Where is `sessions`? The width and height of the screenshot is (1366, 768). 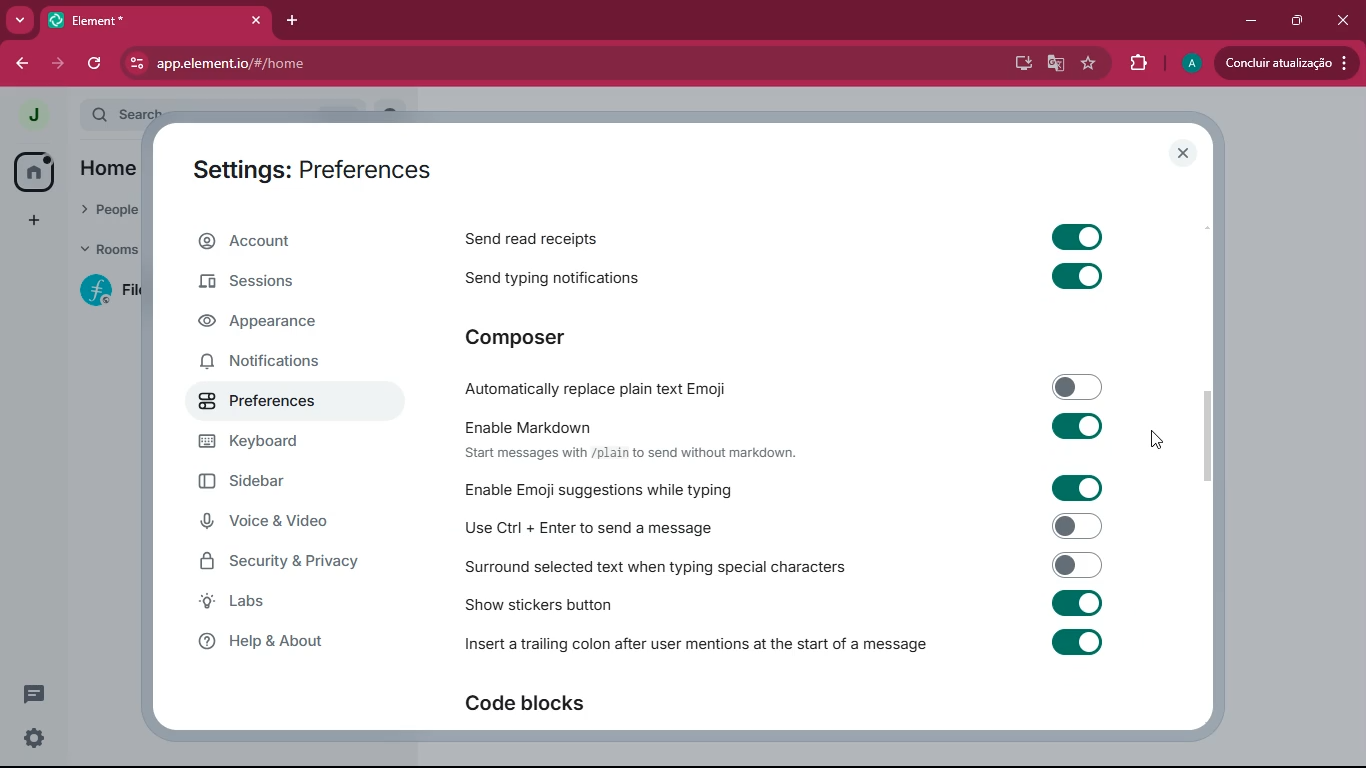 sessions is located at coordinates (283, 284).